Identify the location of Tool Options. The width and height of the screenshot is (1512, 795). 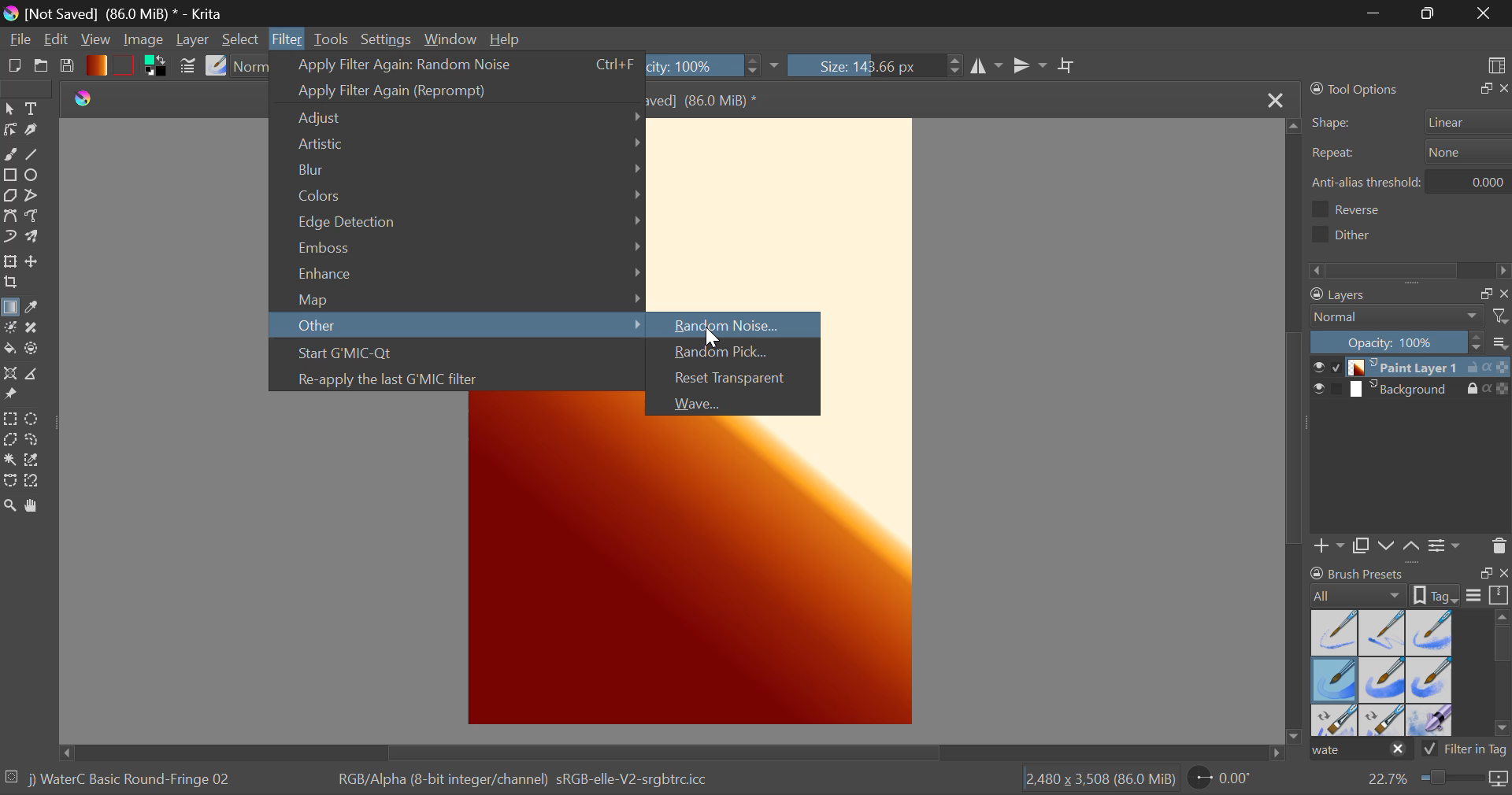
(1356, 89).